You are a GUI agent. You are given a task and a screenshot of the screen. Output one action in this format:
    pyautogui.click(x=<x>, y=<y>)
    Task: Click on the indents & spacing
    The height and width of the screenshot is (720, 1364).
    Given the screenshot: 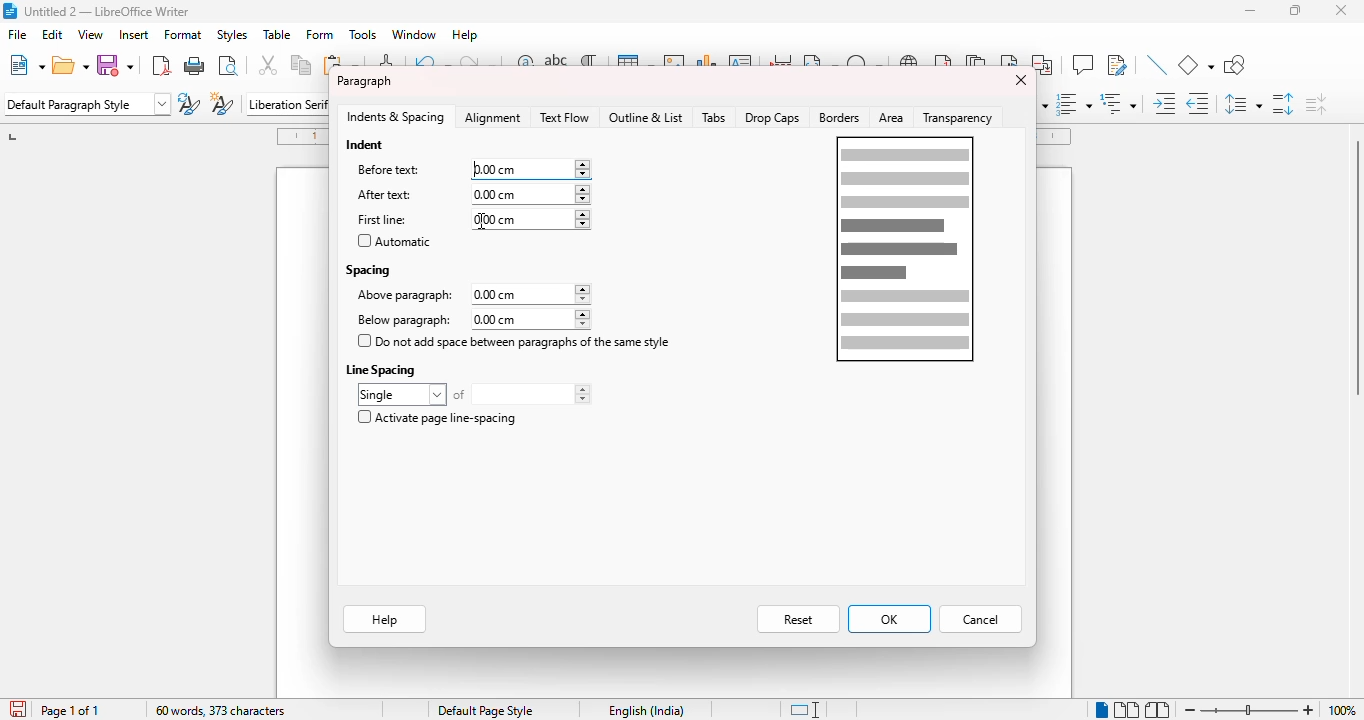 What is the action you would take?
    pyautogui.click(x=396, y=117)
    